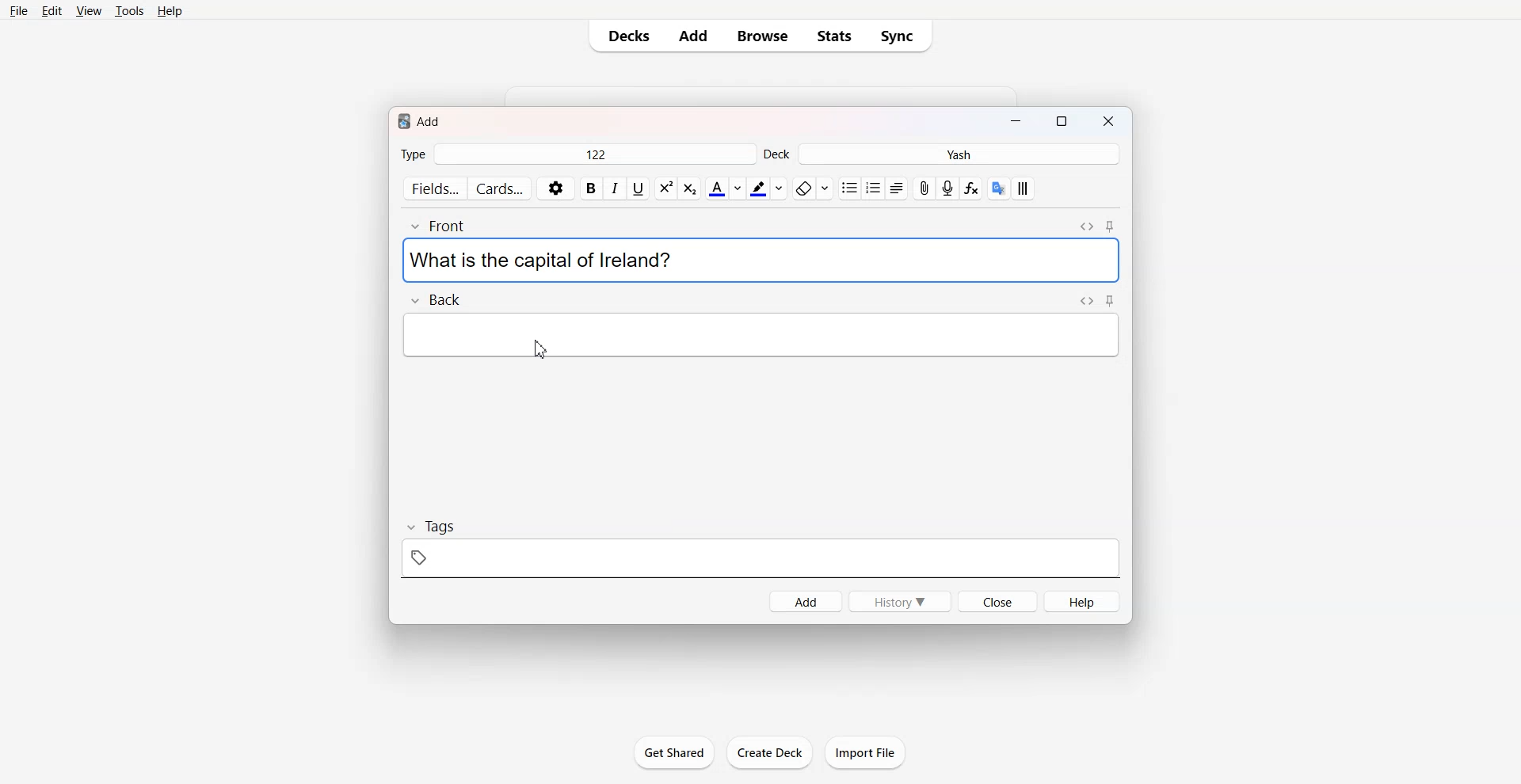 The width and height of the screenshot is (1521, 784). Describe the element at coordinates (501, 188) in the screenshot. I see `Cards` at that location.